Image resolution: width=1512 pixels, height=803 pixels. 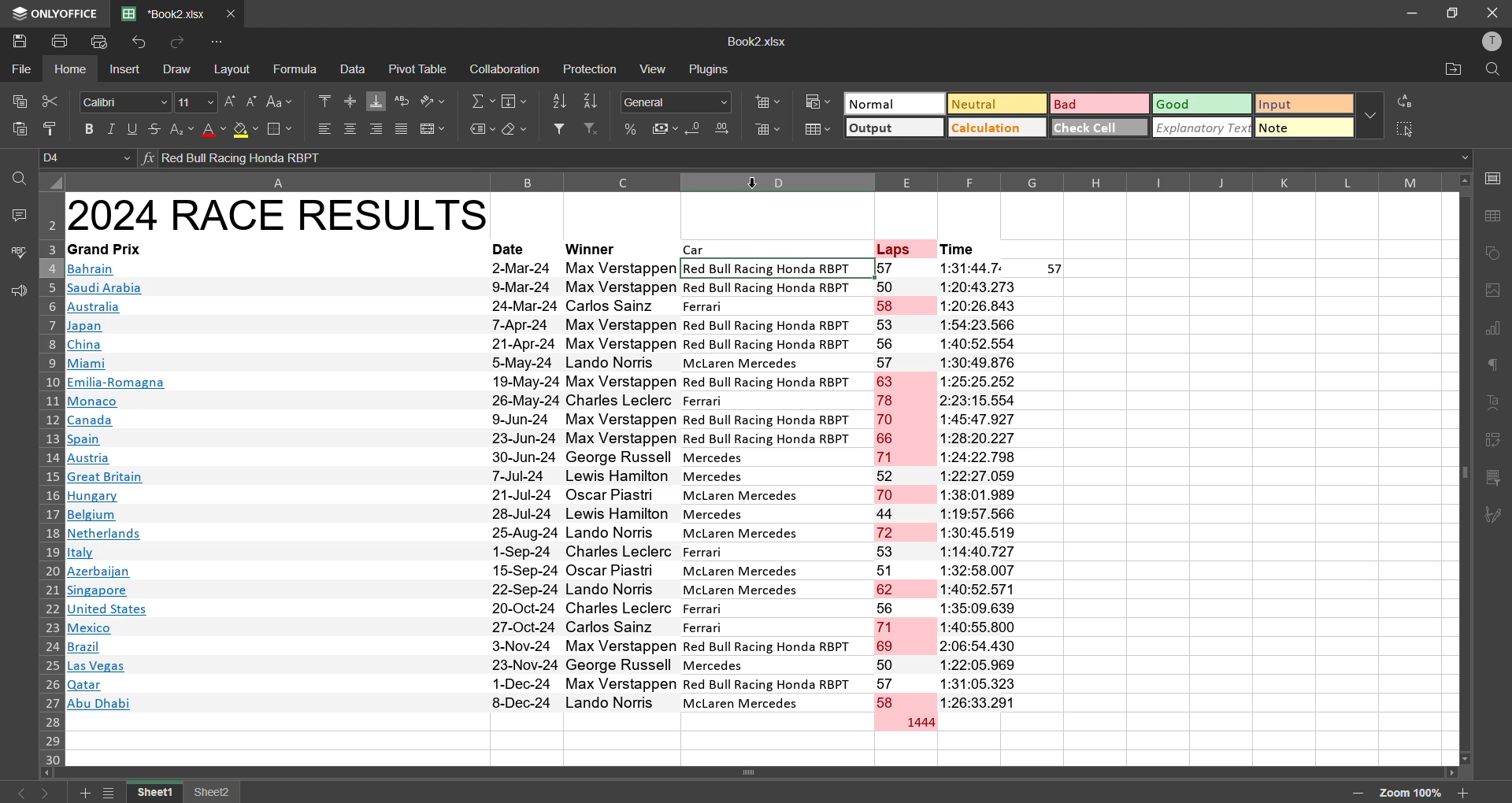 What do you see at coordinates (353, 68) in the screenshot?
I see `data` at bounding box center [353, 68].